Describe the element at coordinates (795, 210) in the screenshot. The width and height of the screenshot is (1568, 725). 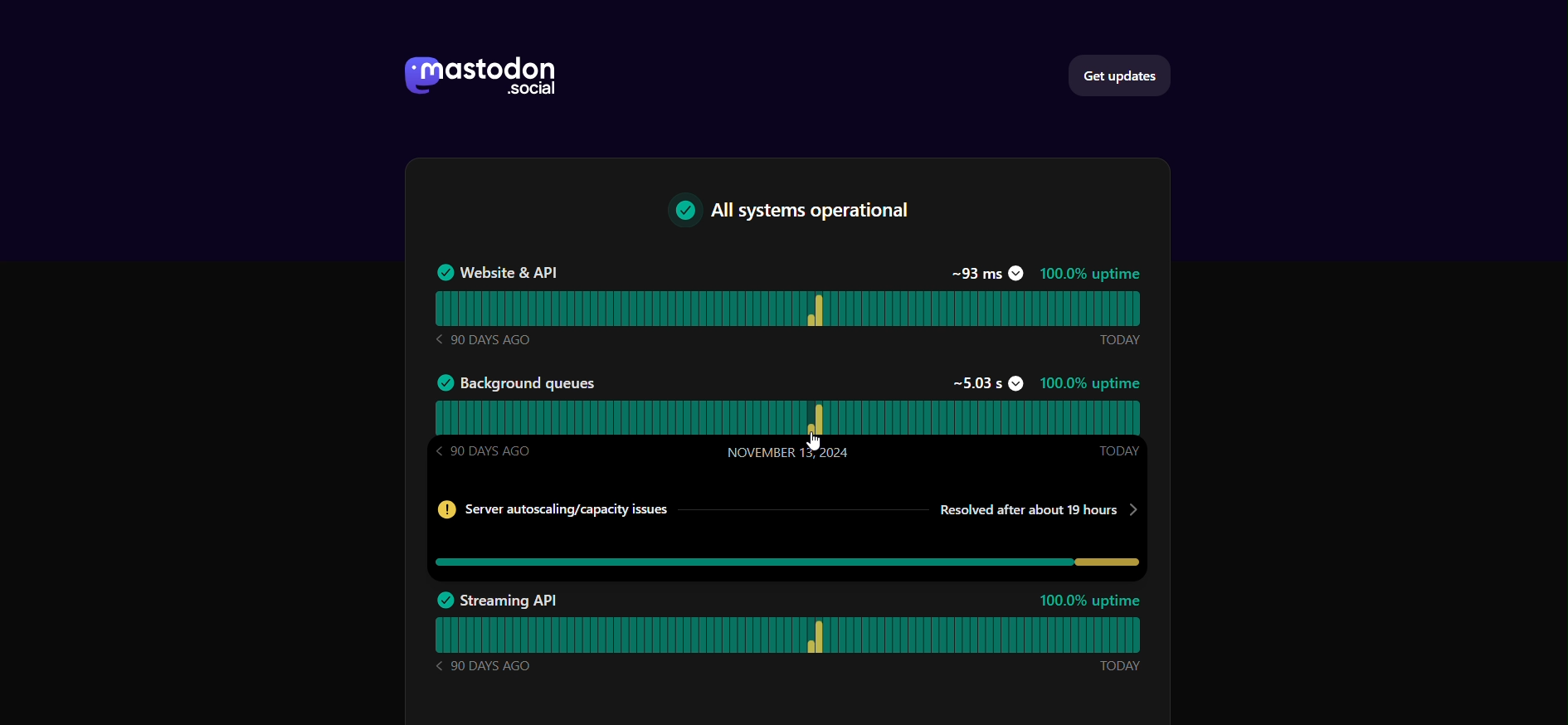
I see `text` at that location.